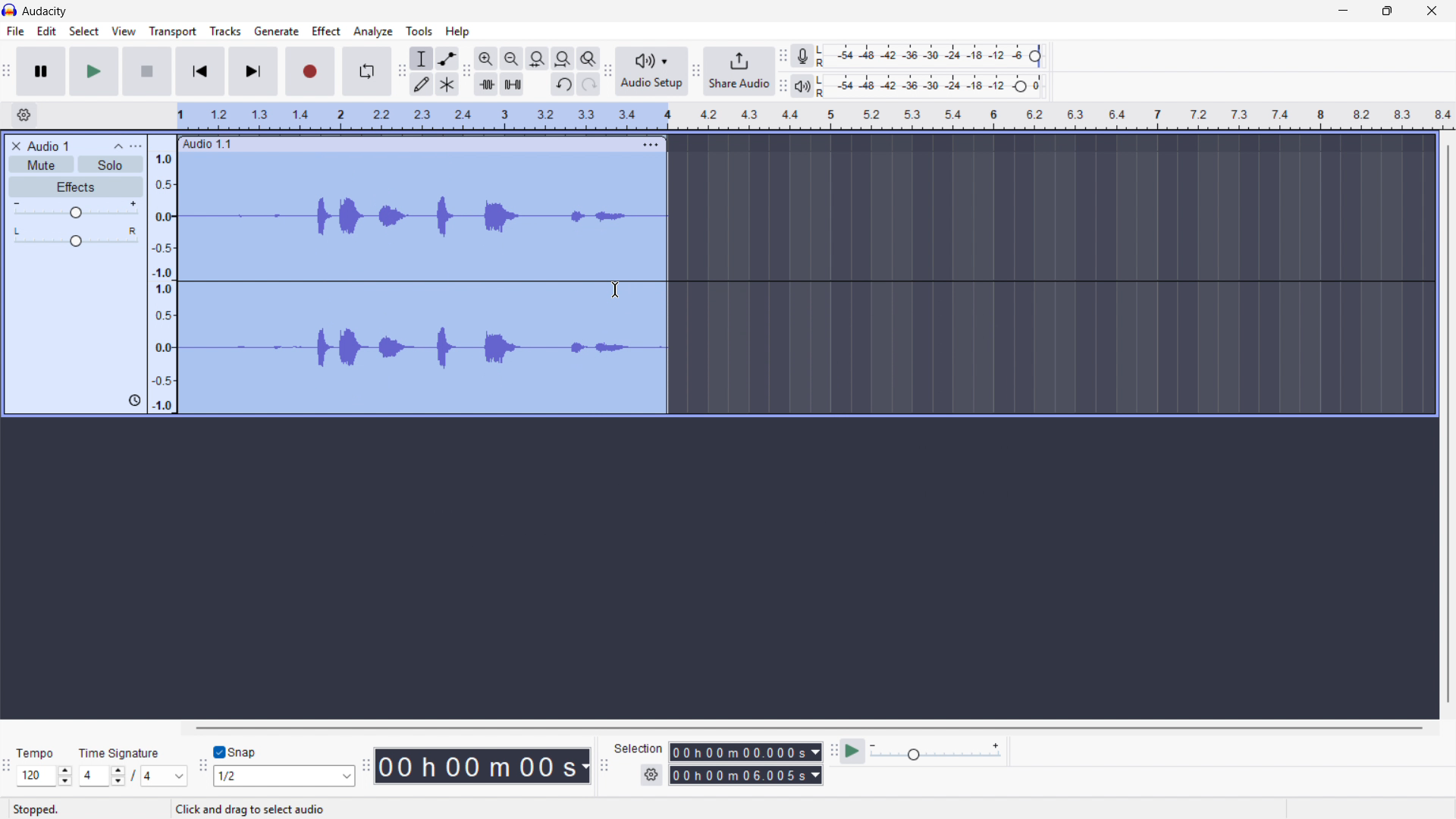  Describe the element at coordinates (8, 768) in the screenshot. I see `Time signature toolbar` at that location.